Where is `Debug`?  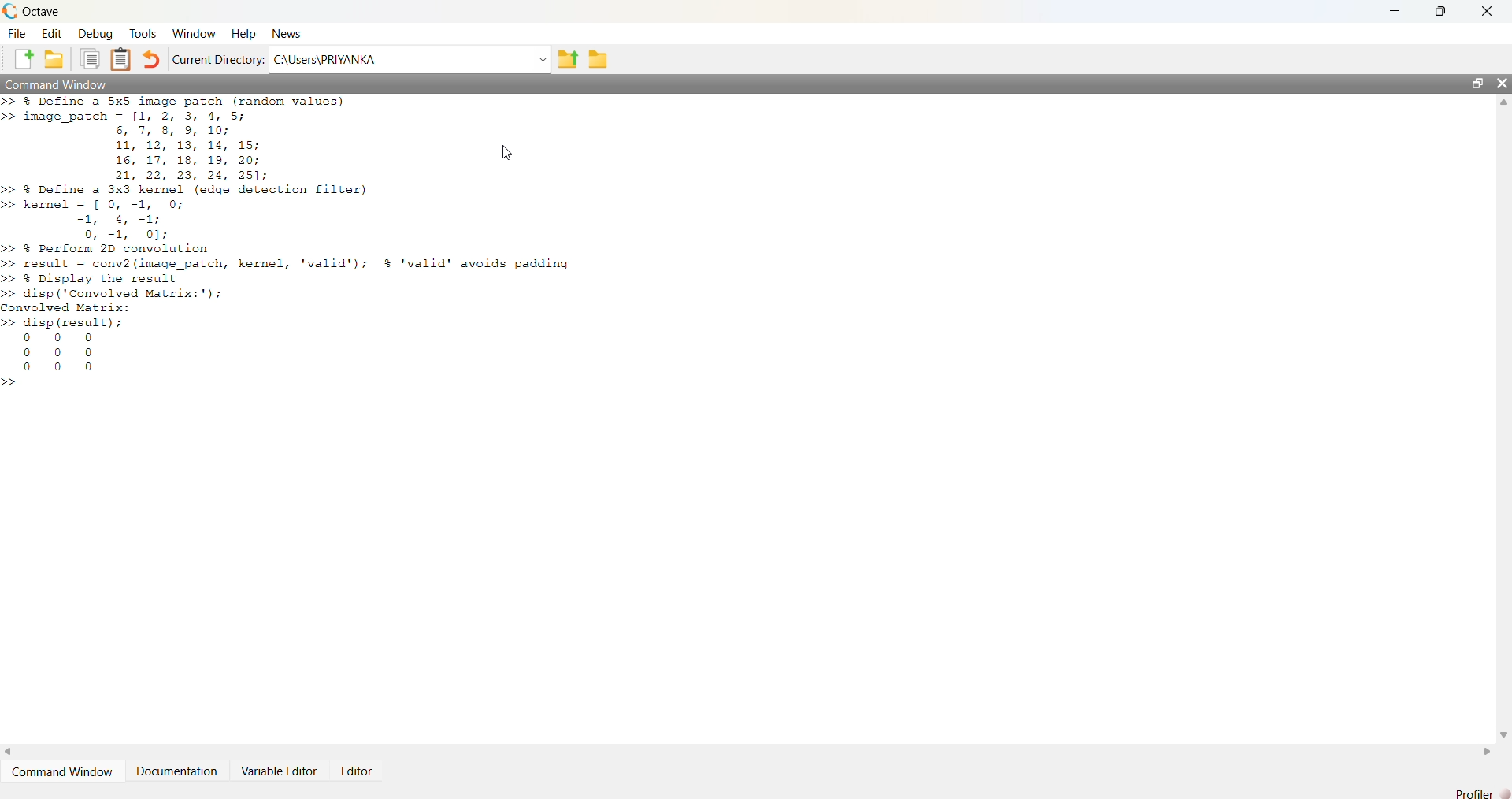
Debug is located at coordinates (98, 34).